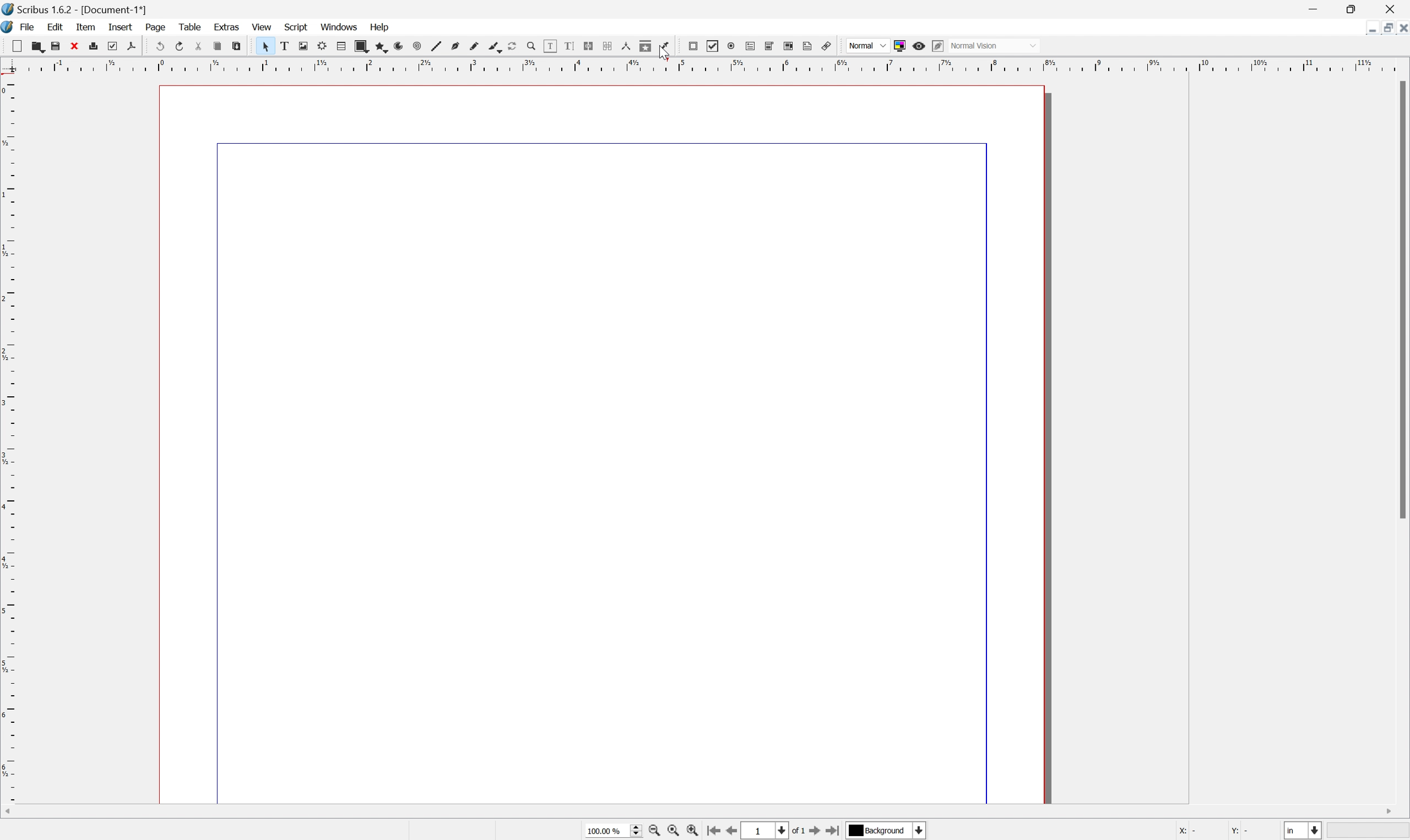 This screenshot has width=1410, height=840. Describe the element at coordinates (901, 45) in the screenshot. I see `Toggle color management system` at that location.